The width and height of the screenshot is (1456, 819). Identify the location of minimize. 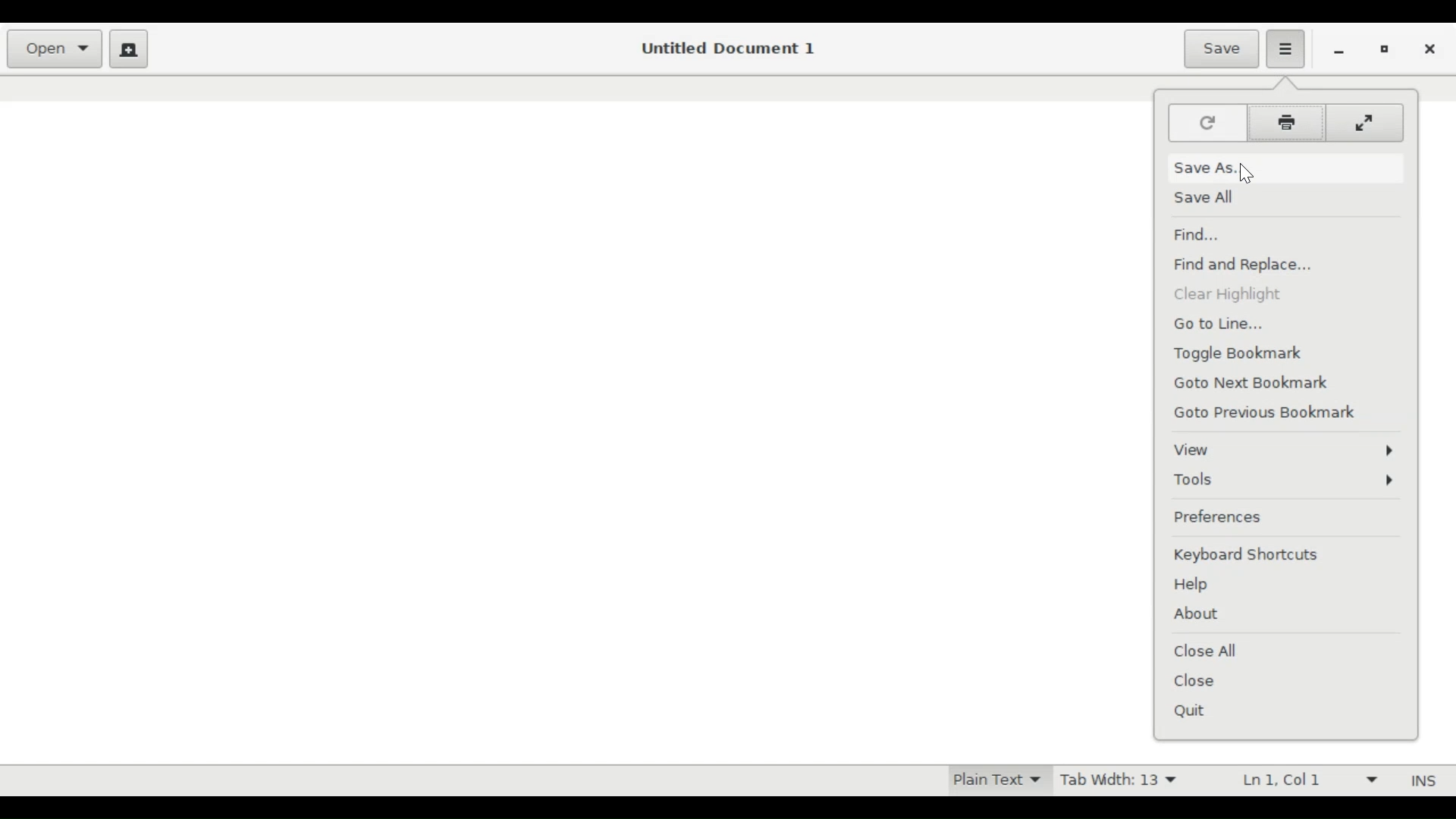
(1341, 51).